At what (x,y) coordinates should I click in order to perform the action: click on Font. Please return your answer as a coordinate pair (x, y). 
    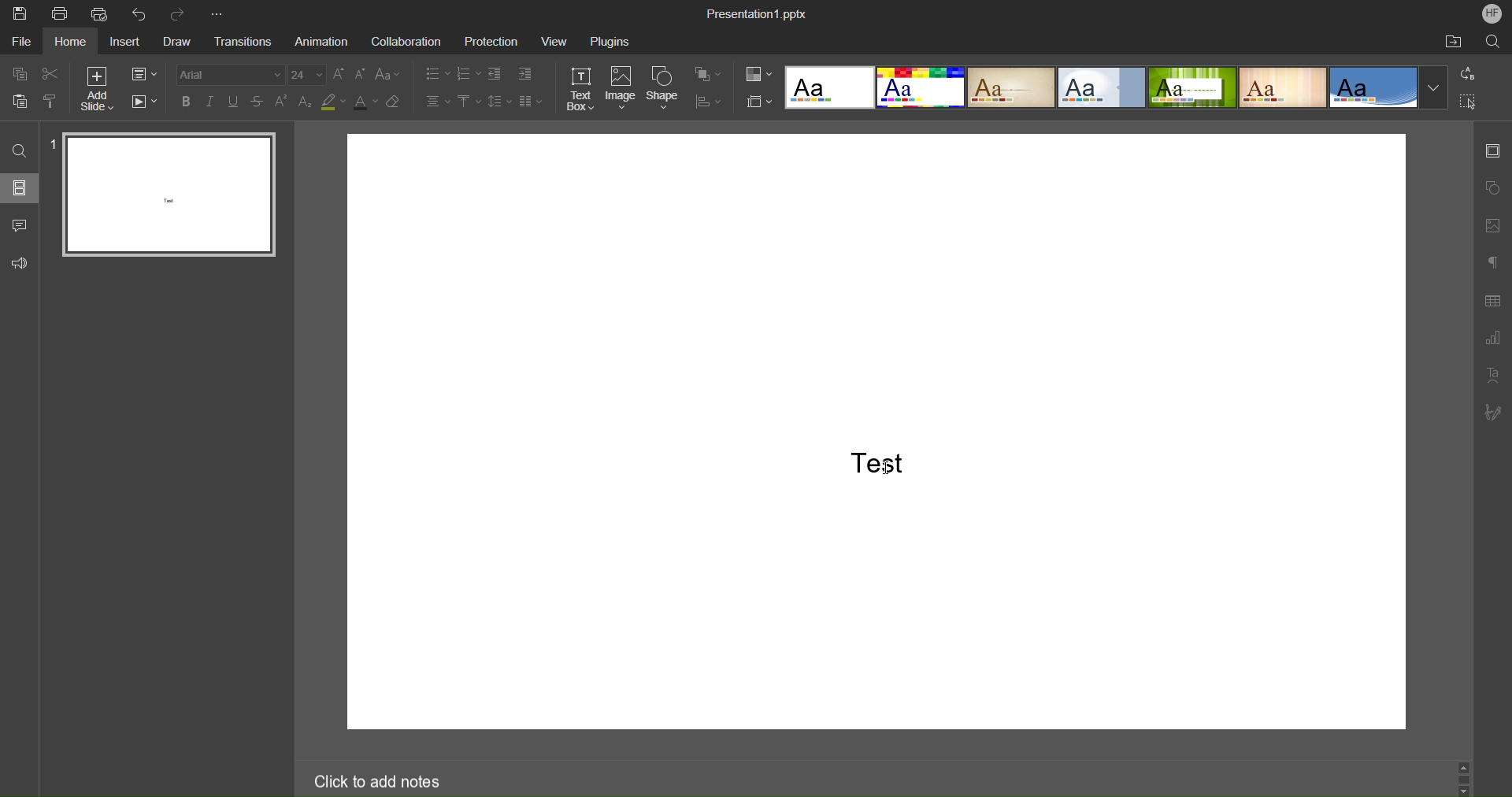
    Looking at the image, I should click on (232, 74).